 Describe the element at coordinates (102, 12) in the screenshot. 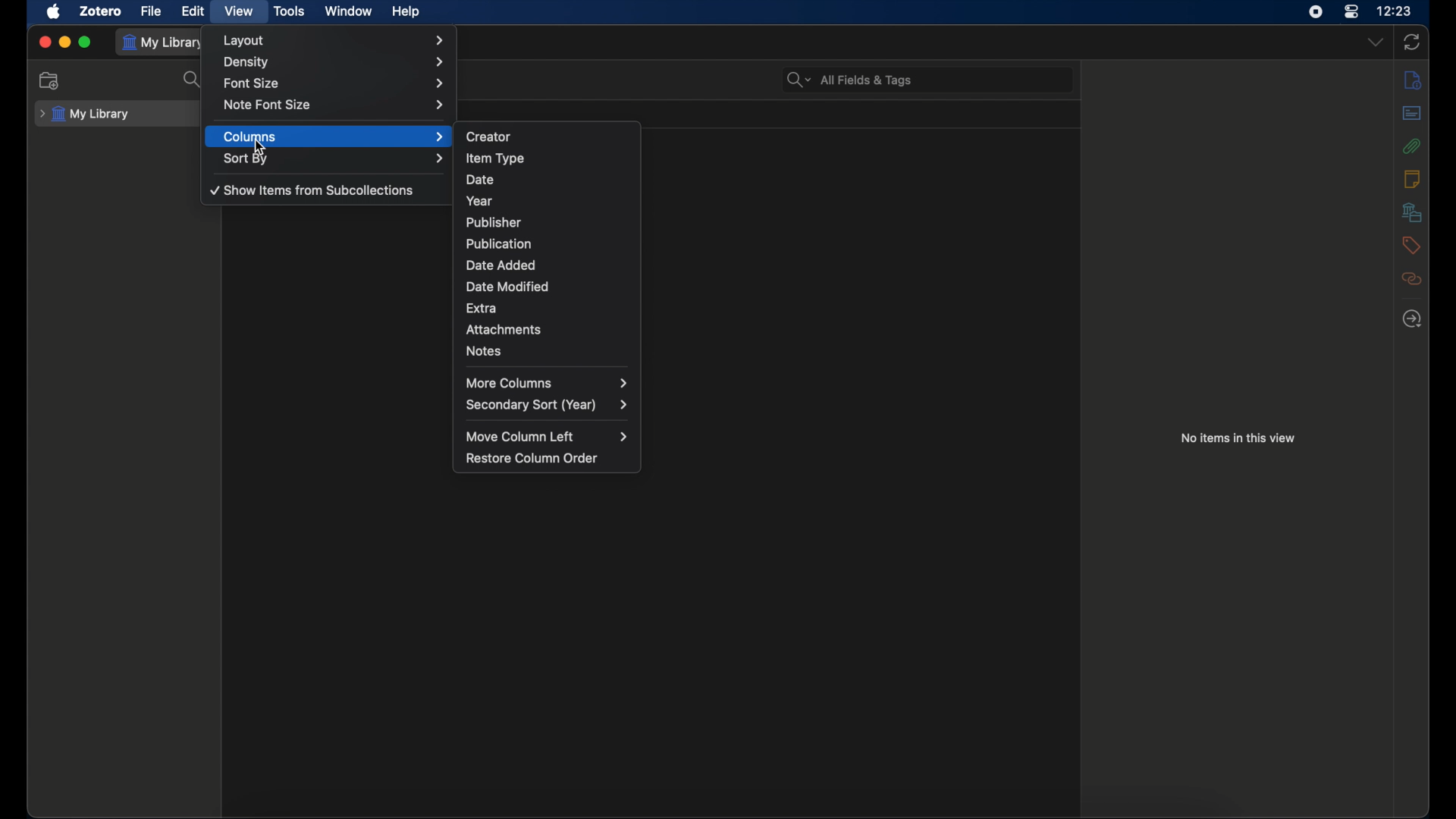

I see `zotero` at that location.